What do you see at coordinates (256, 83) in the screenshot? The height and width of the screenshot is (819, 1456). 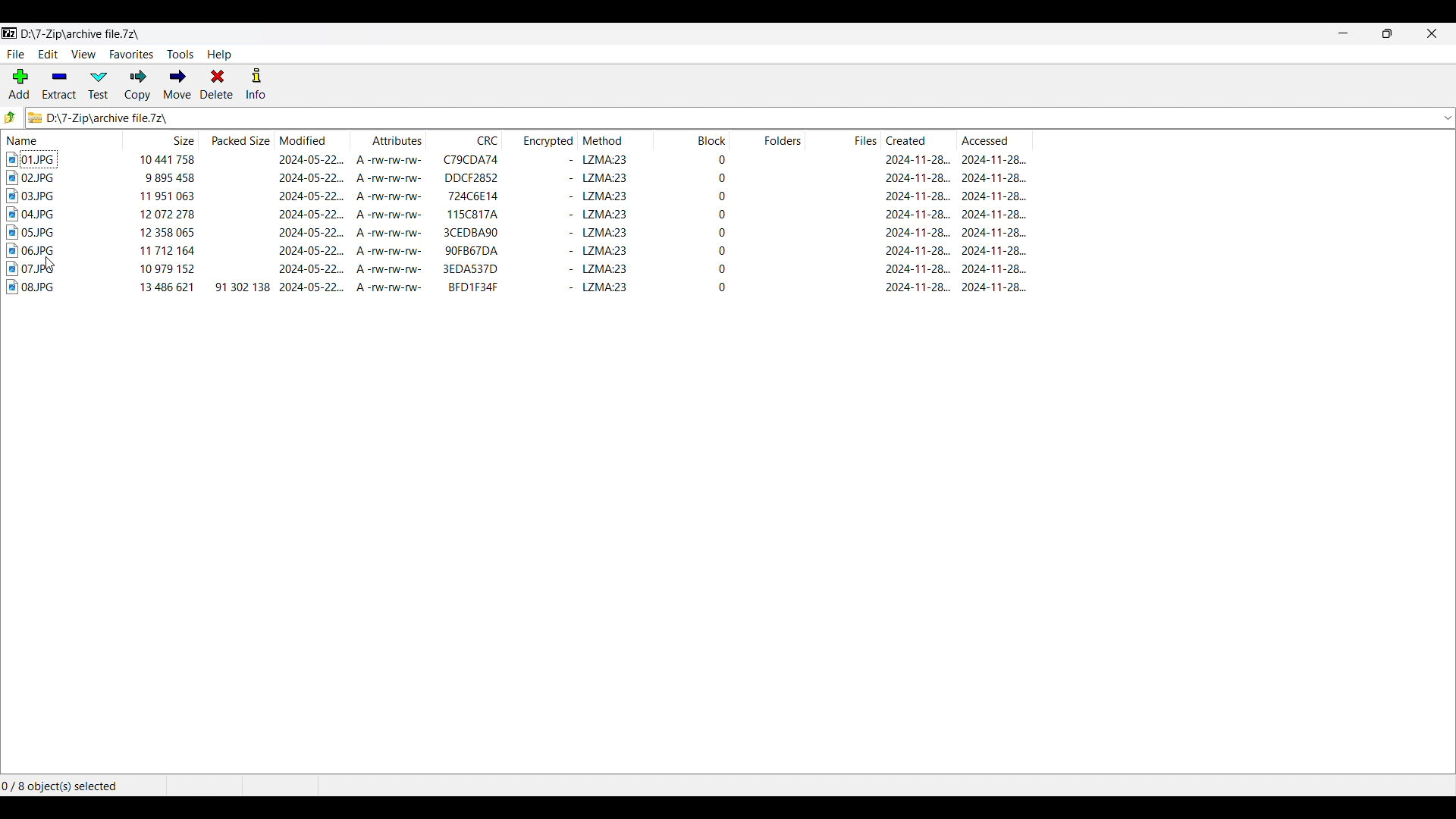 I see `Info` at bounding box center [256, 83].